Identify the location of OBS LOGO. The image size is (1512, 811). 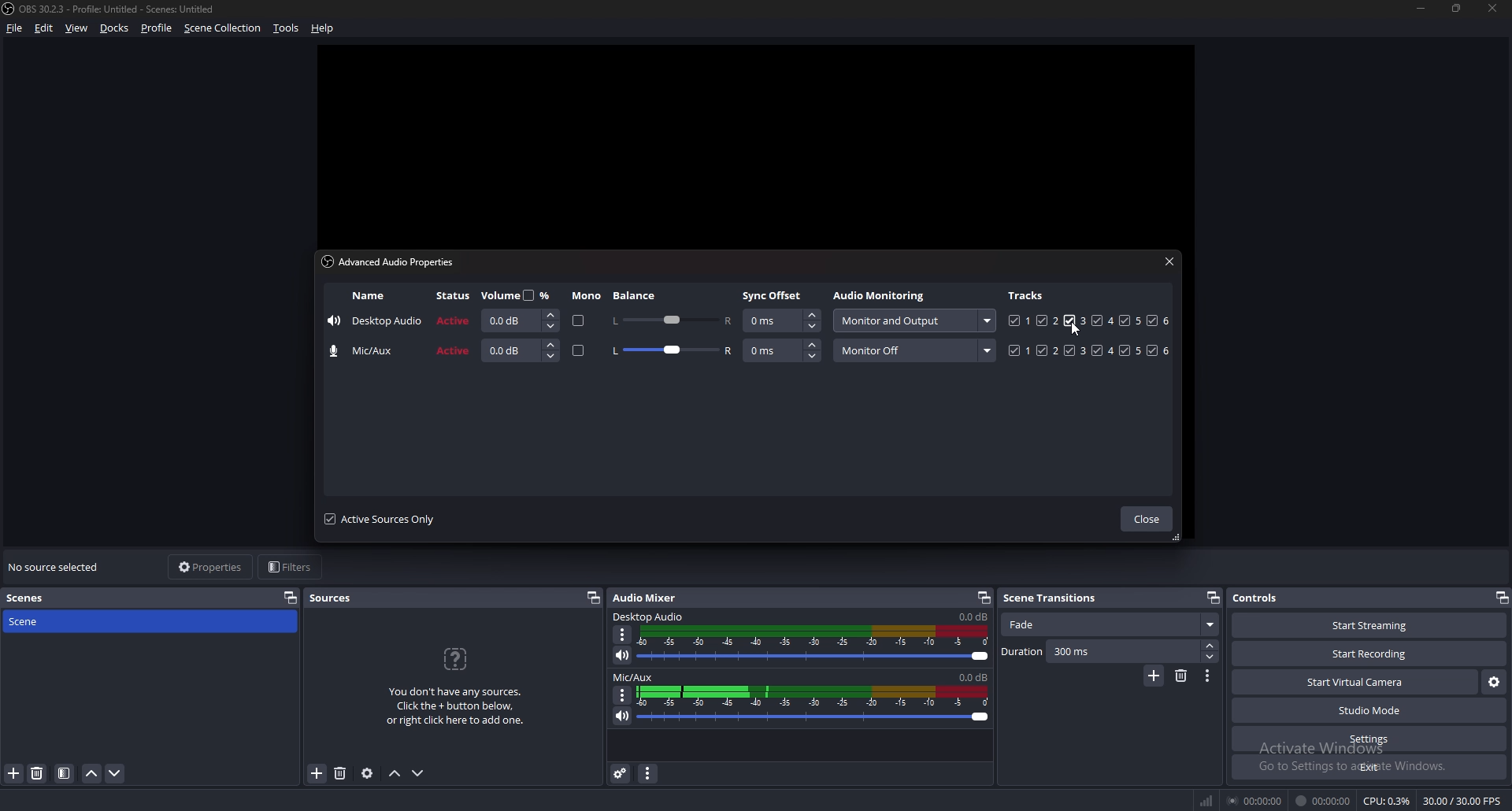
(9, 10).